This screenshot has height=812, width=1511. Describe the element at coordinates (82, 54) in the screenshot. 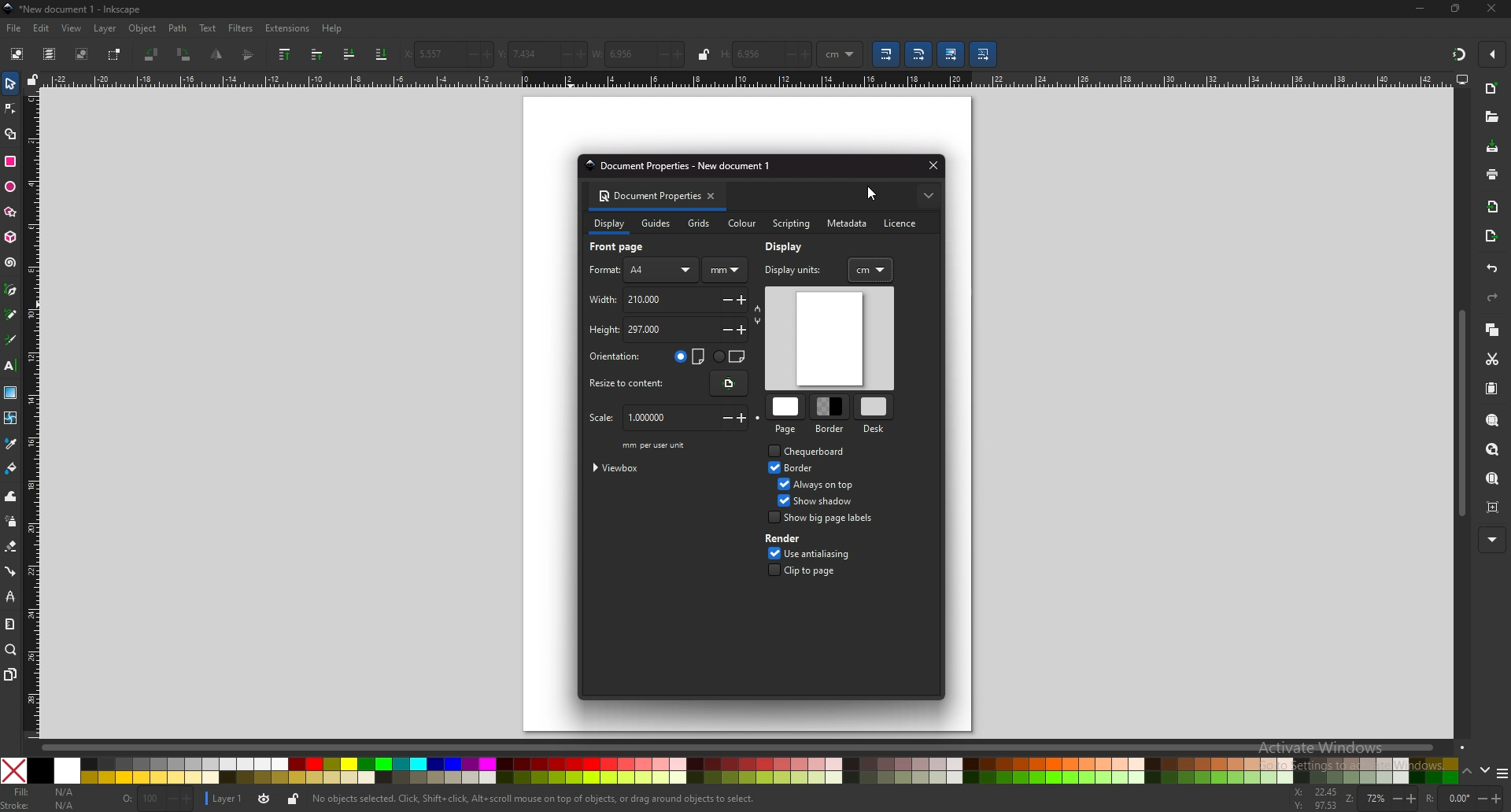

I see `deselect selected object` at that location.